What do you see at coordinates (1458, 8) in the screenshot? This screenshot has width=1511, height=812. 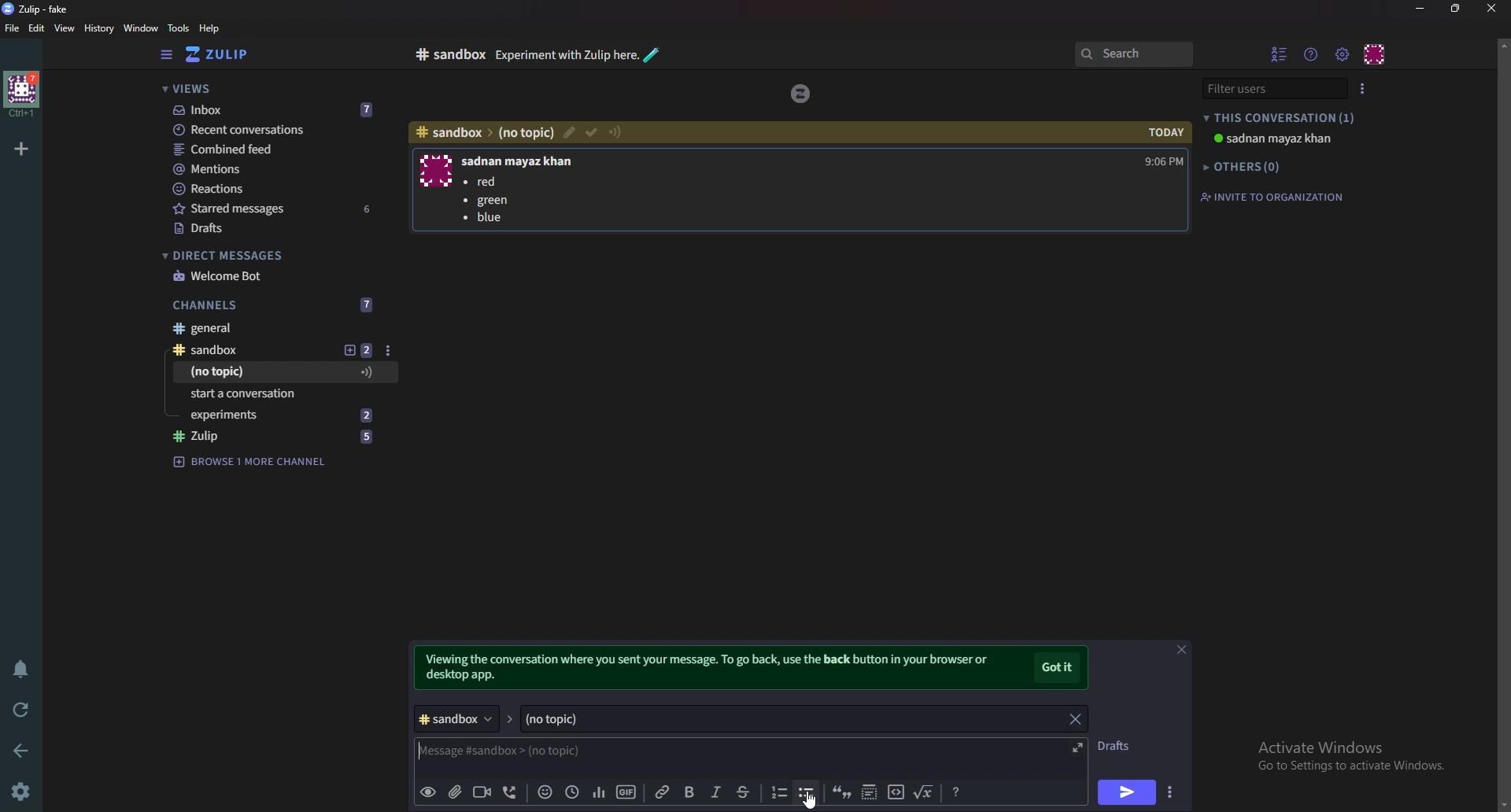 I see `Resize` at bounding box center [1458, 8].